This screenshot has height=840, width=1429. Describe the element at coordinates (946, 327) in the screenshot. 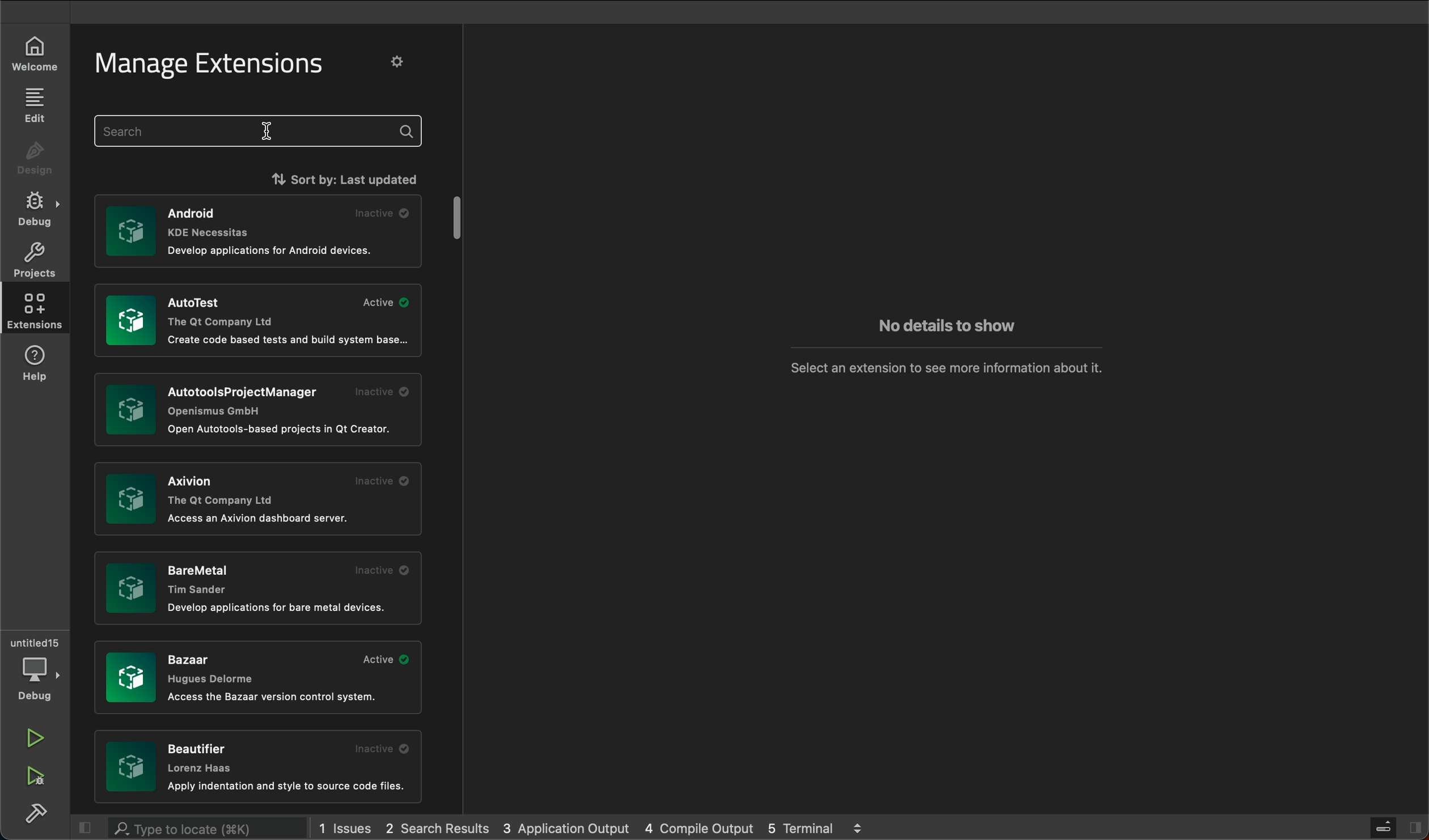

I see `no extension message` at that location.